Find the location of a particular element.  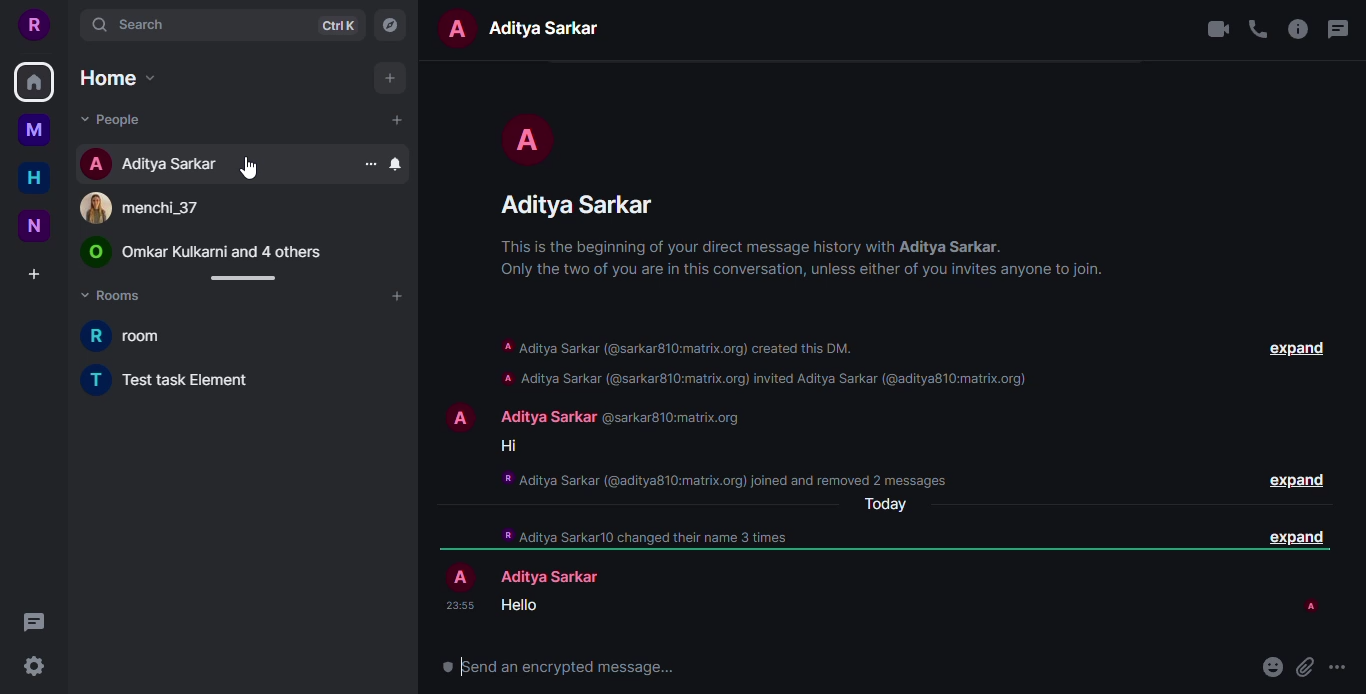

profile is located at coordinates (37, 25).